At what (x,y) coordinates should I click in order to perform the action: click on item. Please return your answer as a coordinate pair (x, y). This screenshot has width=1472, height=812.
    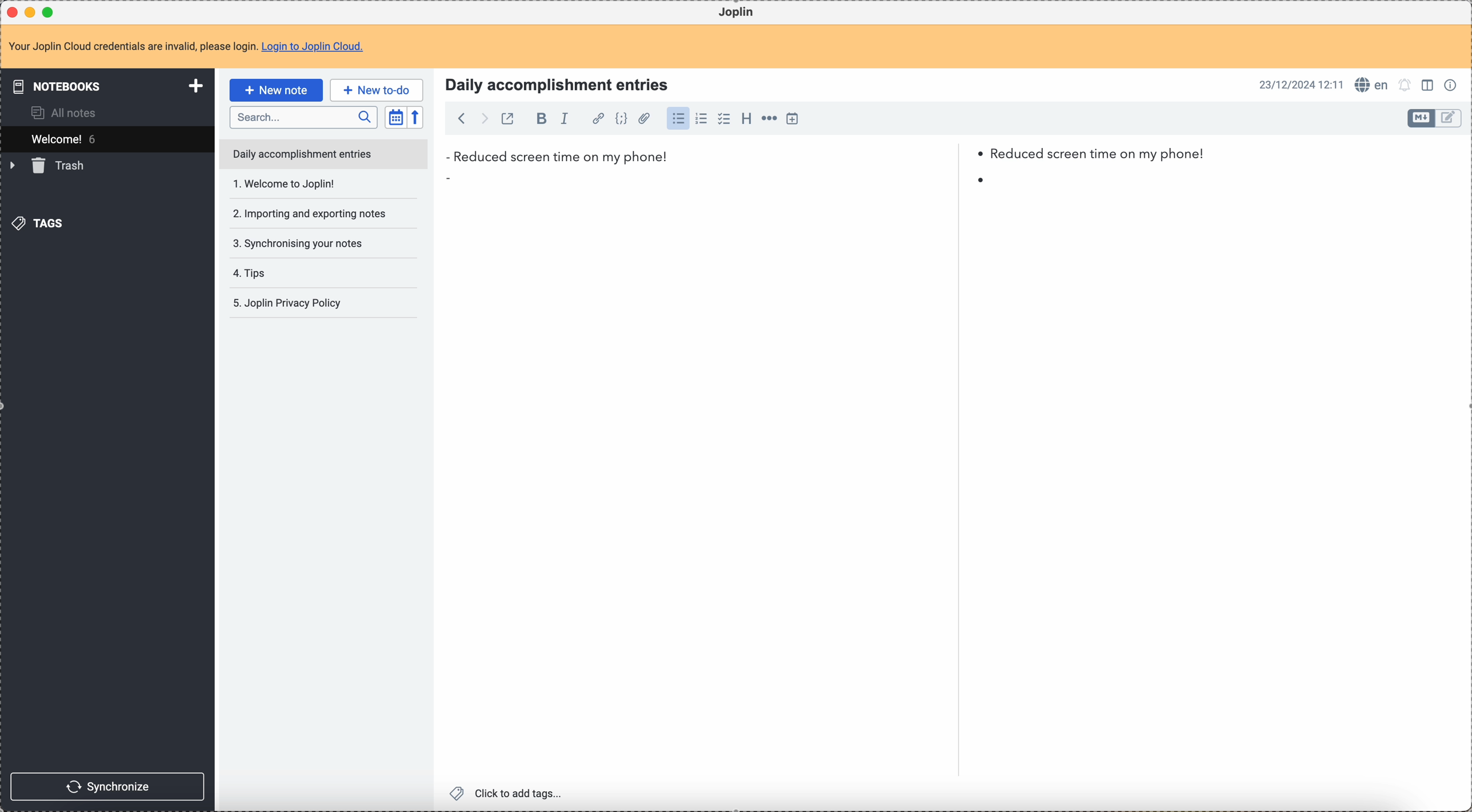
    Looking at the image, I should click on (718, 181).